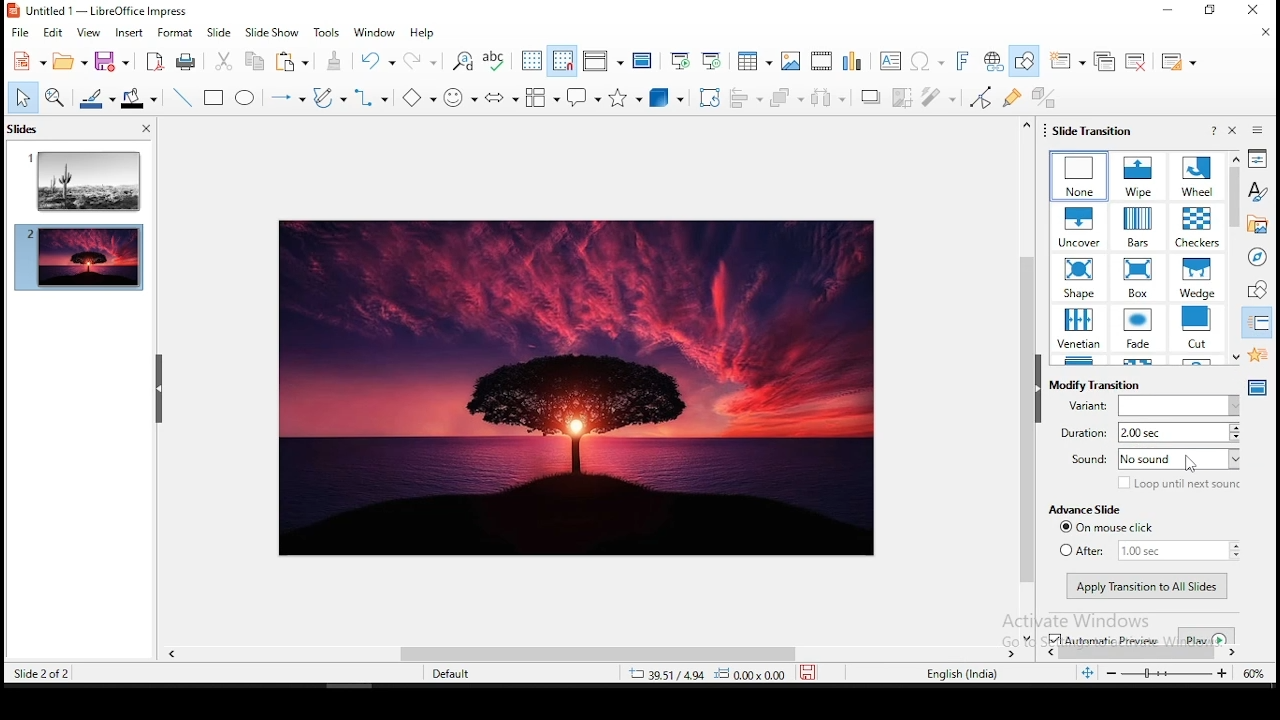 The height and width of the screenshot is (720, 1280). I want to click on file, so click(20, 33).